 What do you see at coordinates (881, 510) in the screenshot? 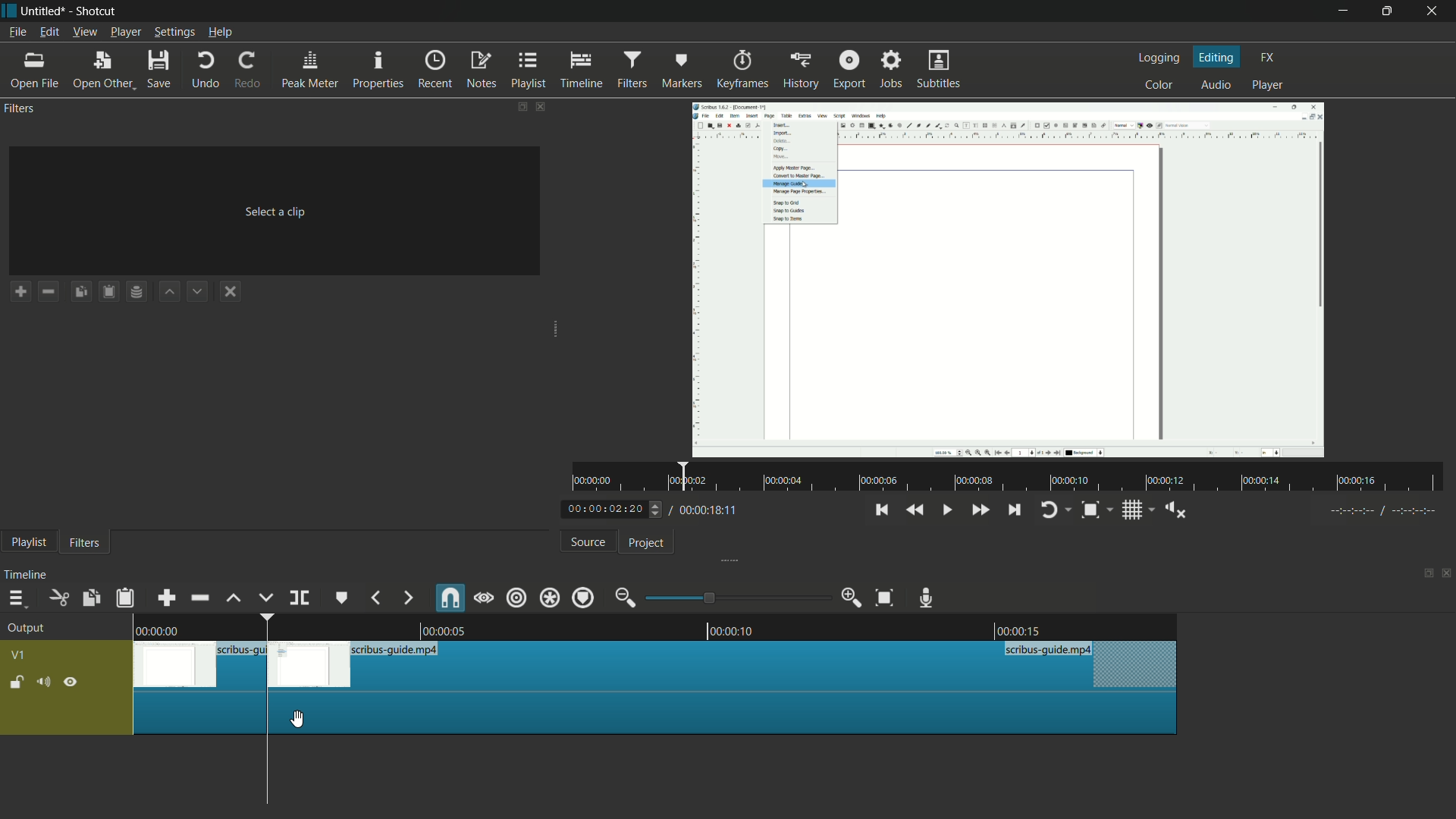
I see `skip to the previous point` at bounding box center [881, 510].